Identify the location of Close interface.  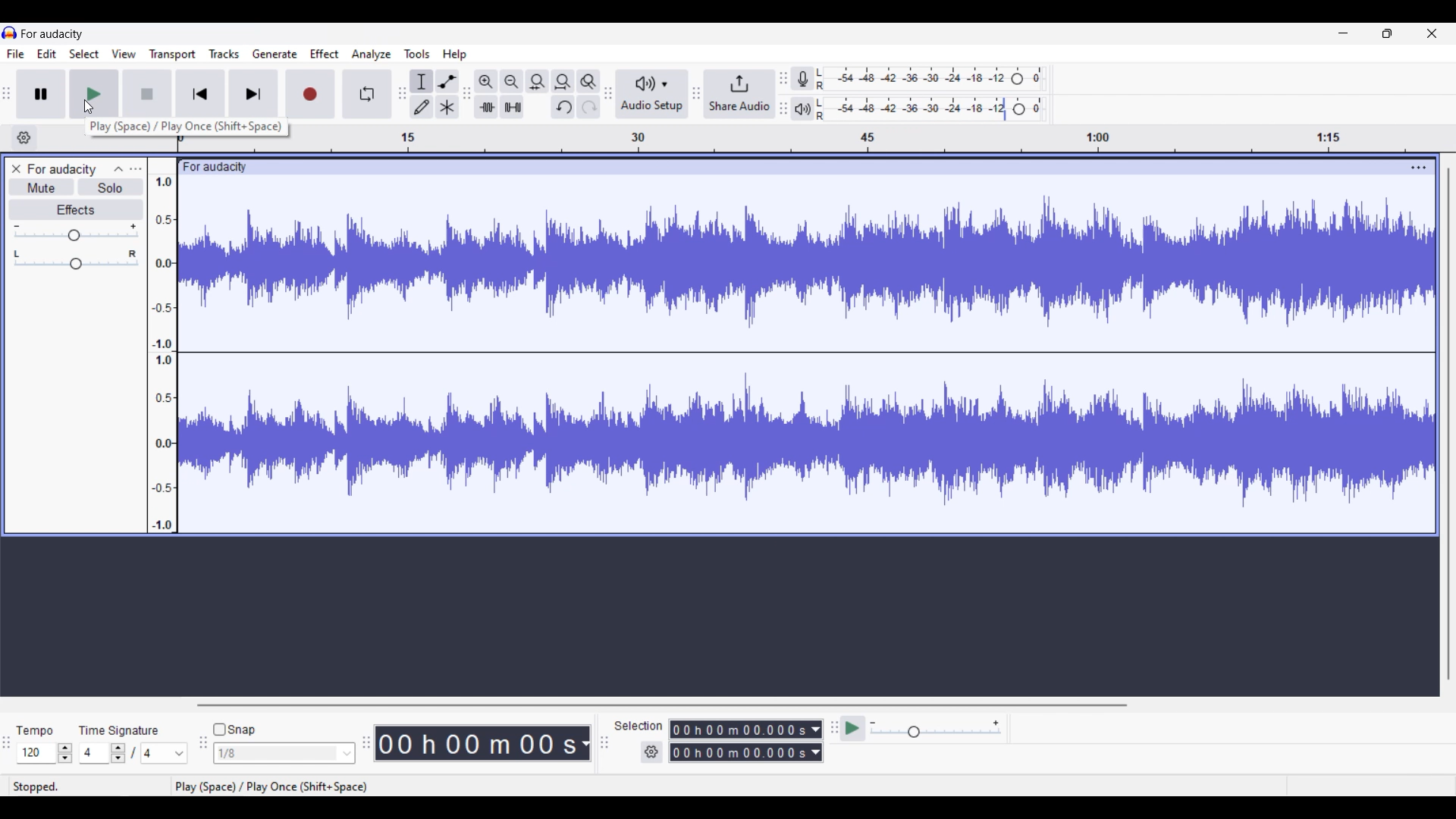
(1432, 33).